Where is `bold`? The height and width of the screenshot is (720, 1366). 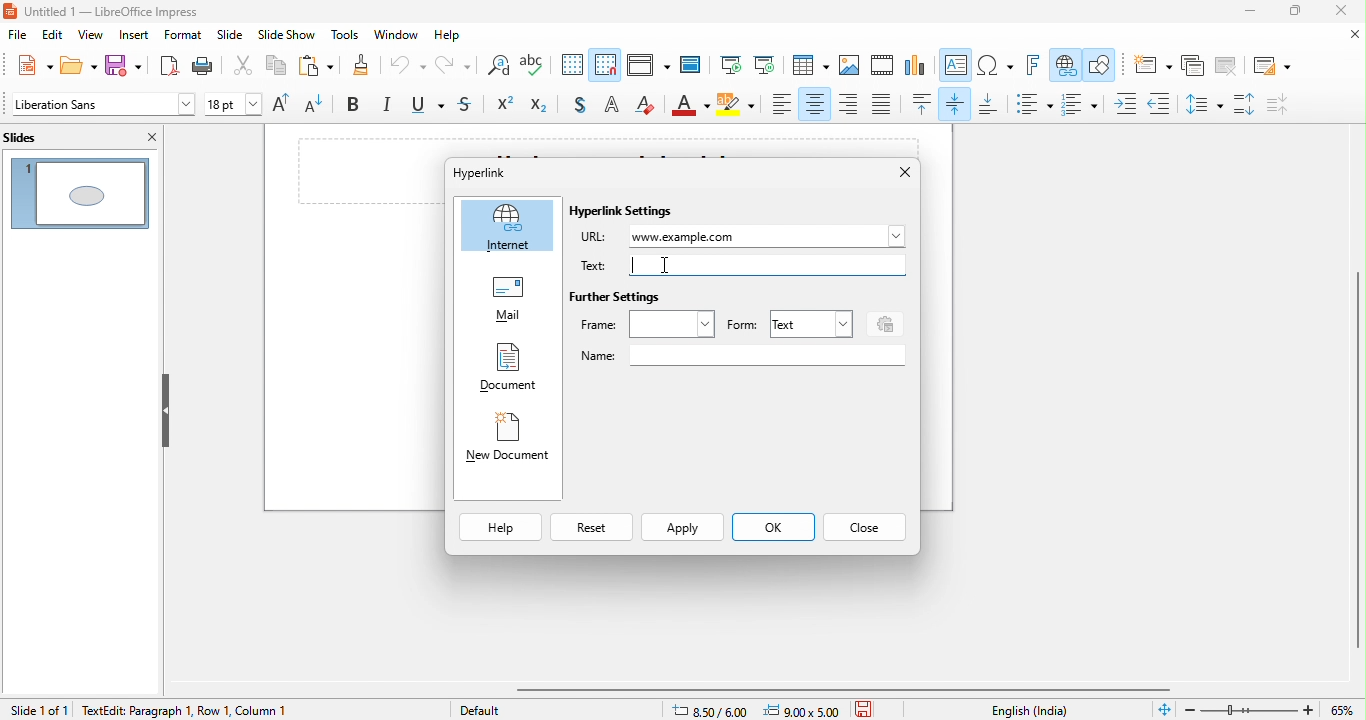
bold is located at coordinates (357, 106).